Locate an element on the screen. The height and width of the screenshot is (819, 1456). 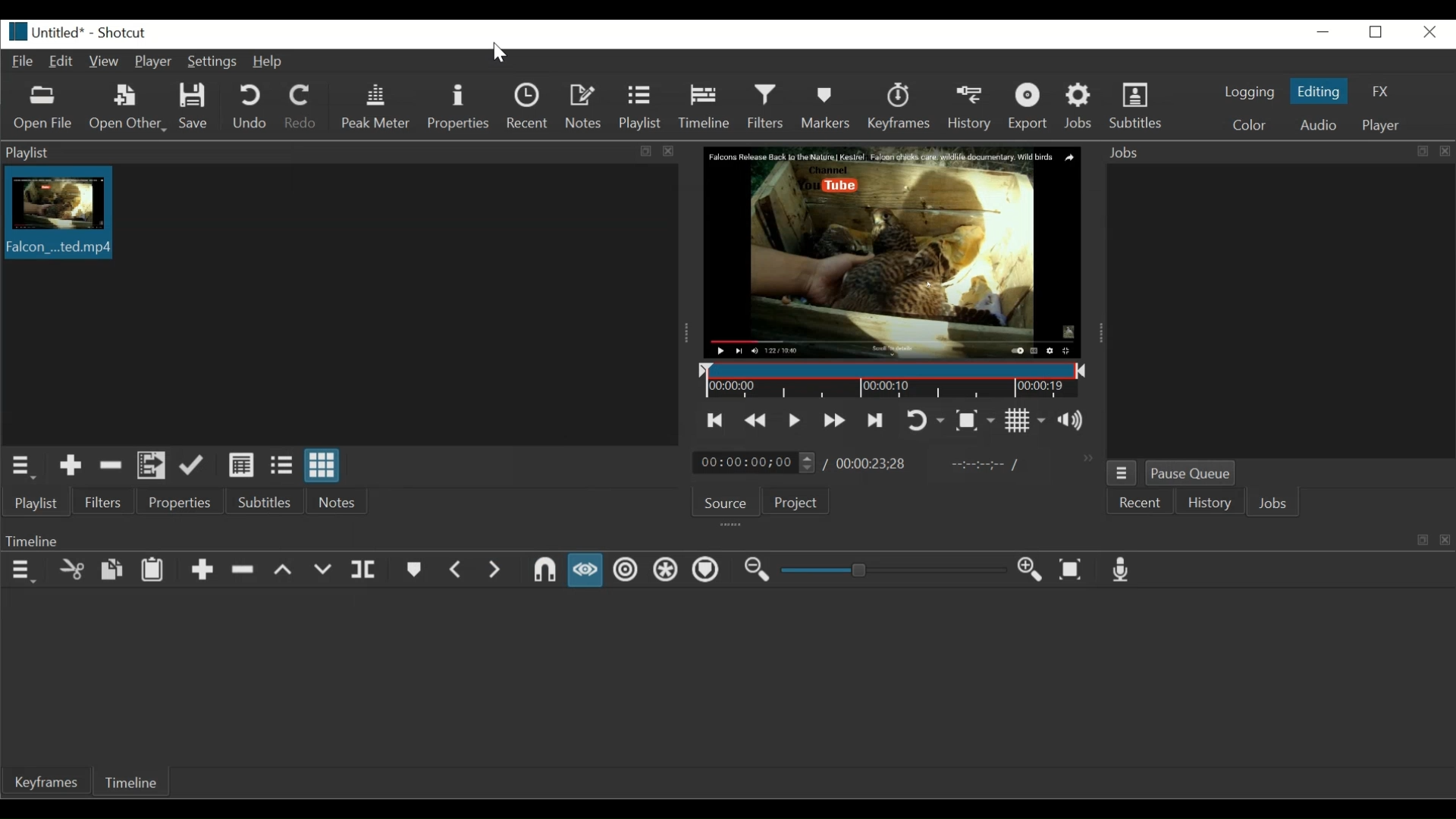
Zoom Timeline in is located at coordinates (1034, 571).